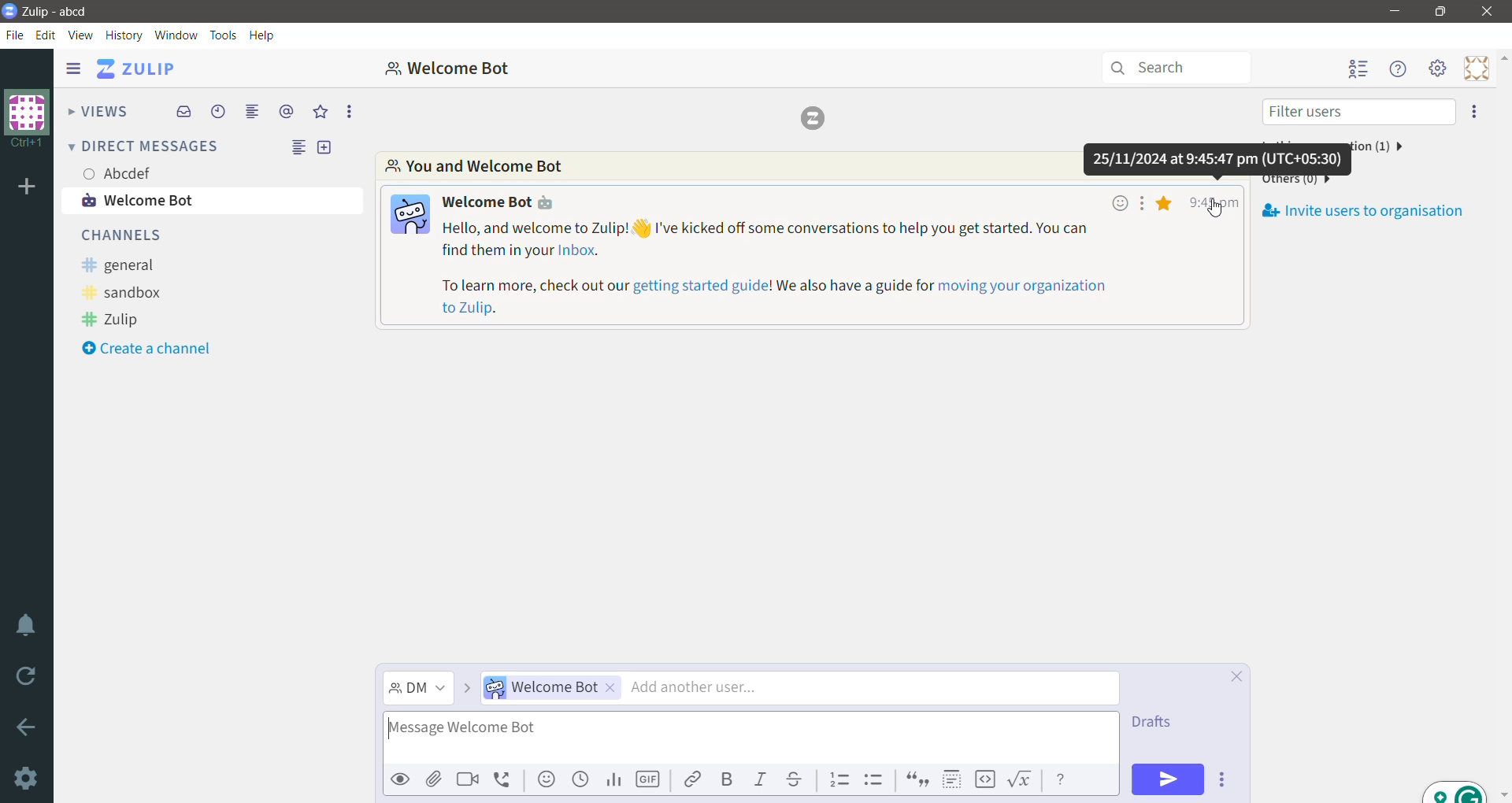 This screenshot has width=1512, height=803. Describe the element at coordinates (124, 263) in the screenshot. I see `general` at that location.